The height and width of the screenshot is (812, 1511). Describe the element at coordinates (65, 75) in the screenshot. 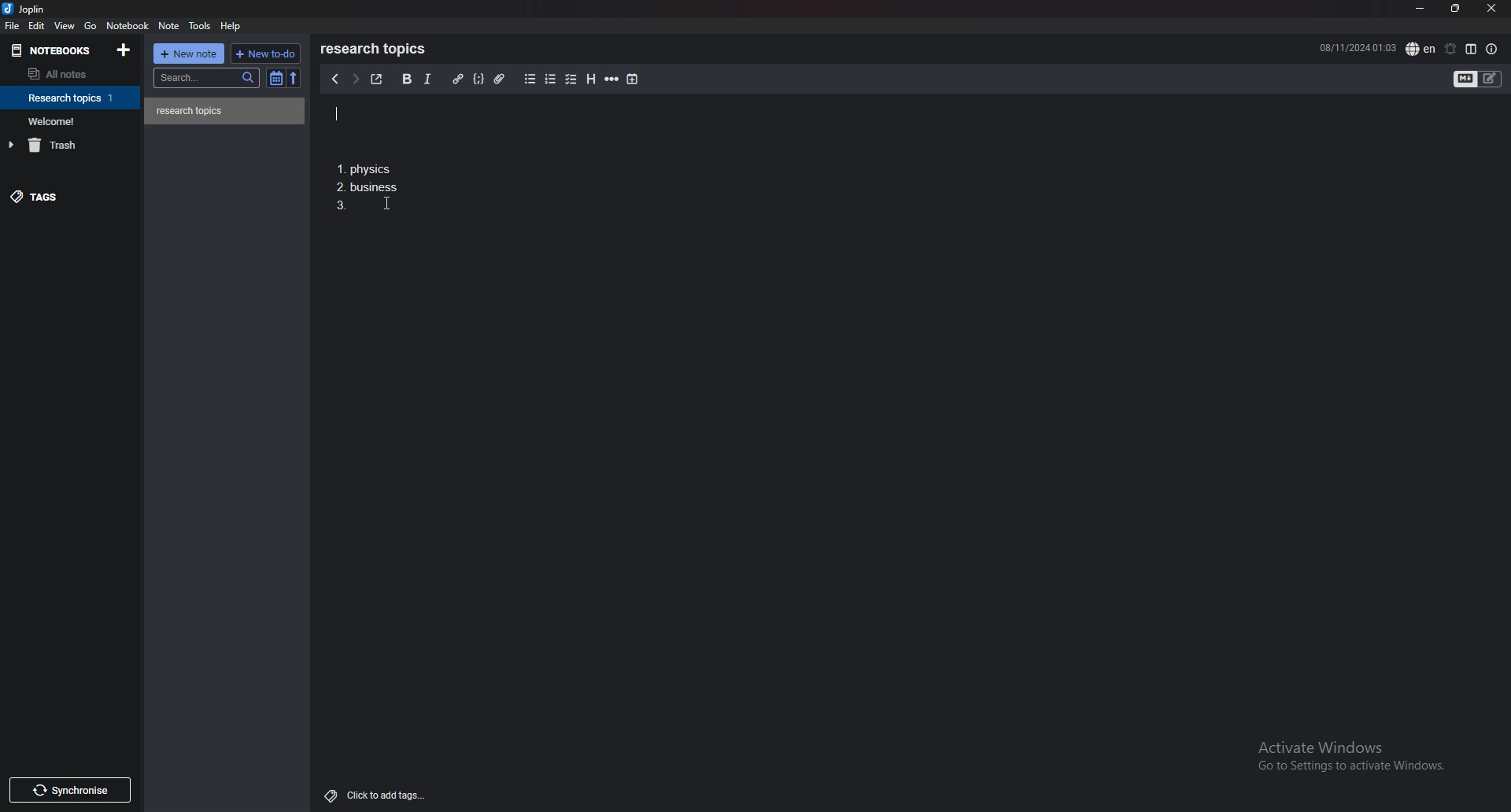

I see `all notes` at that location.